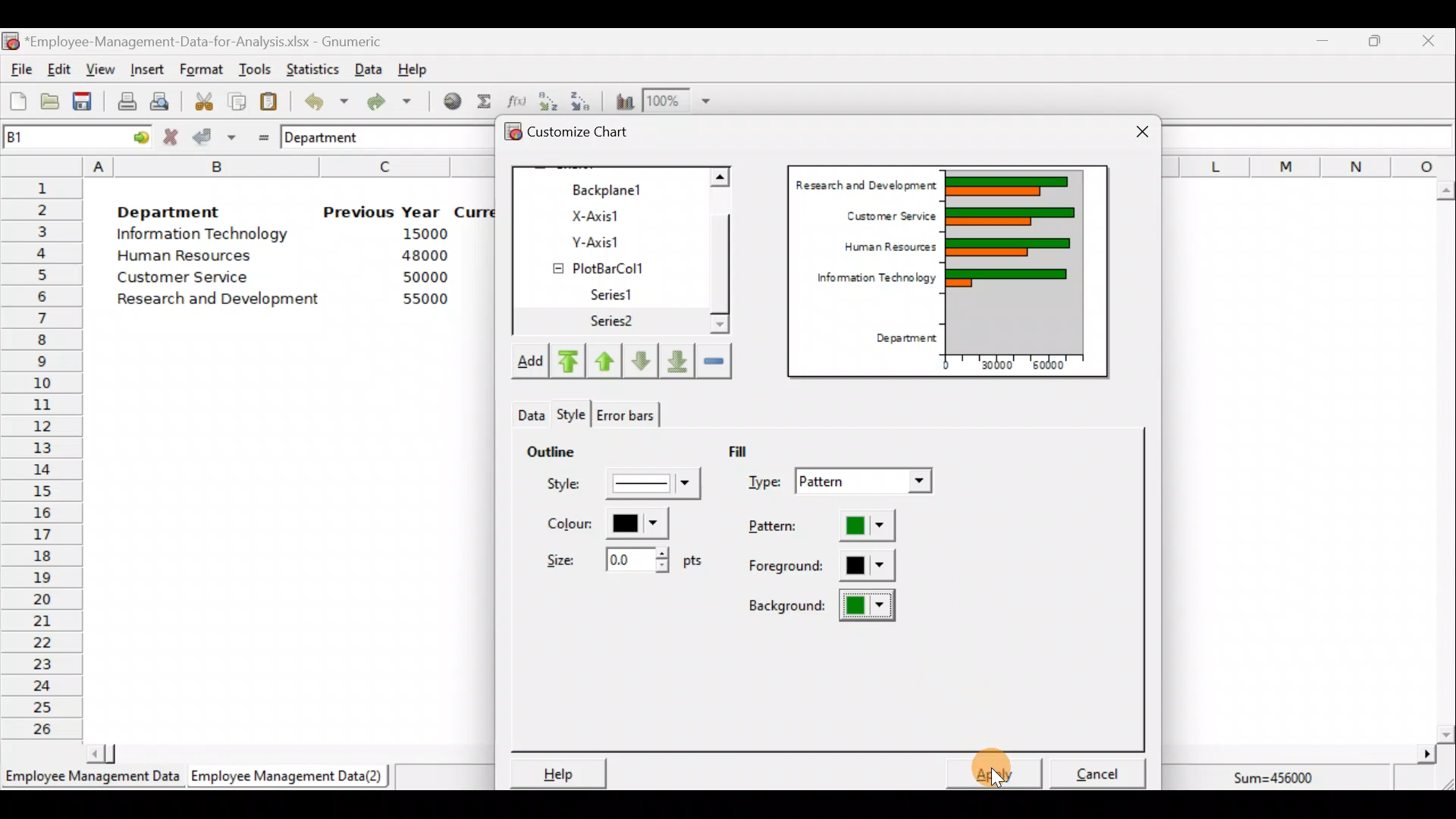  What do you see at coordinates (187, 281) in the screenshot?
I see `Customer Service` at bounding box center [187, 281].